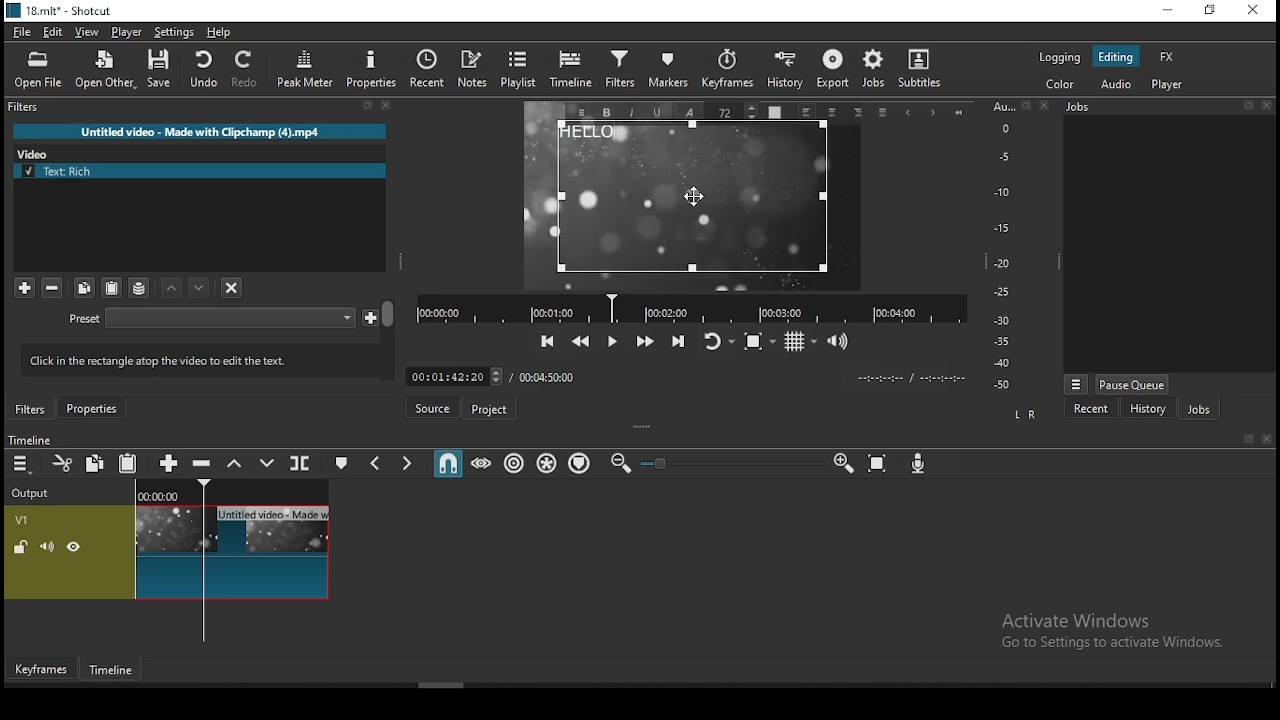  Describe the element at coordinates (38, 71) in the screenshot. I see `open file` at that location.